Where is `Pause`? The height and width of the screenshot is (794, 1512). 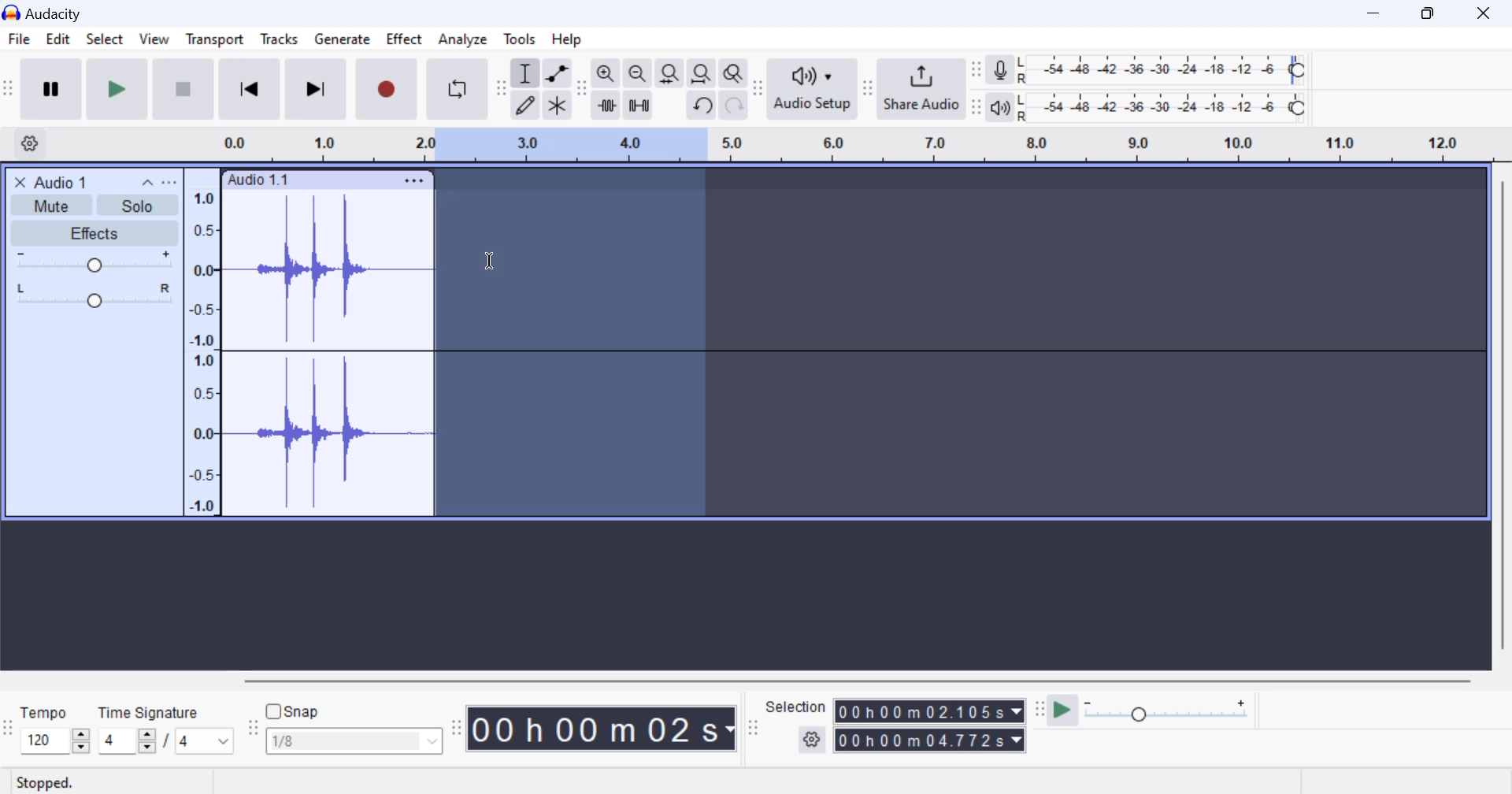 Pause is located at coordinates (50, 89).